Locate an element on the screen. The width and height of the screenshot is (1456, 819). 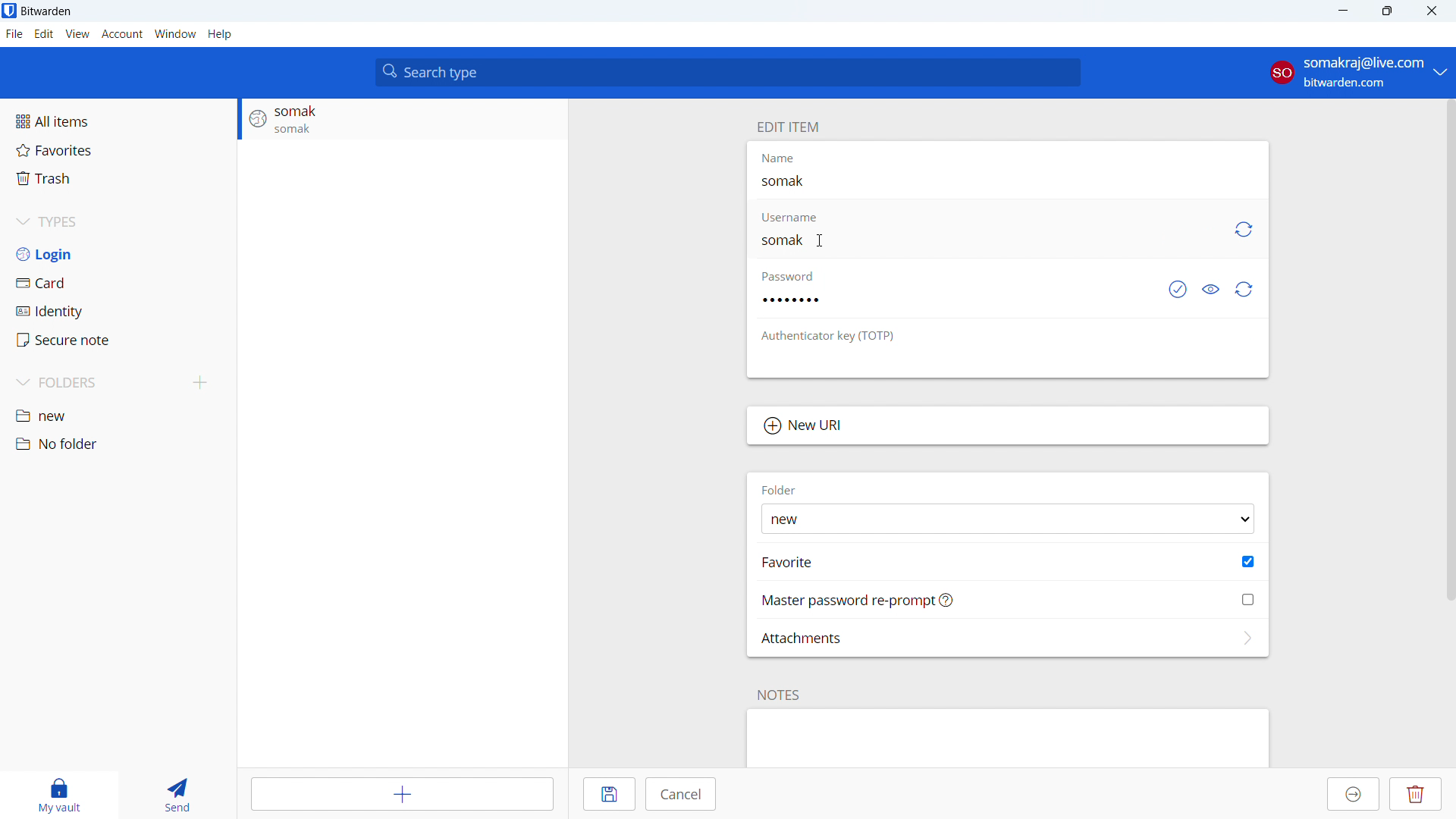
delete entry is located at coordinates (1417, 794).